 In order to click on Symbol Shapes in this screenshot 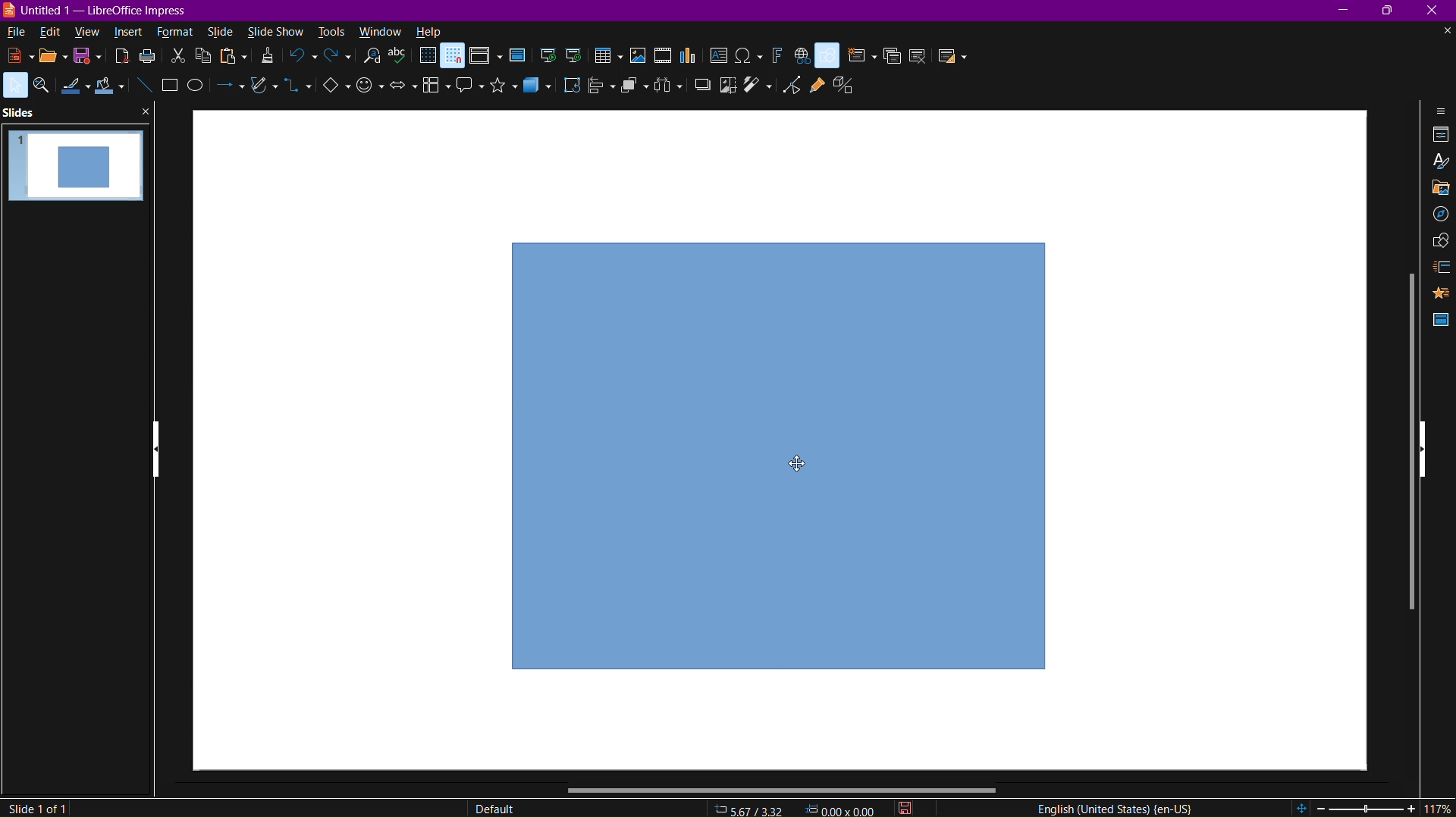, I will do `click(369, 93)`.